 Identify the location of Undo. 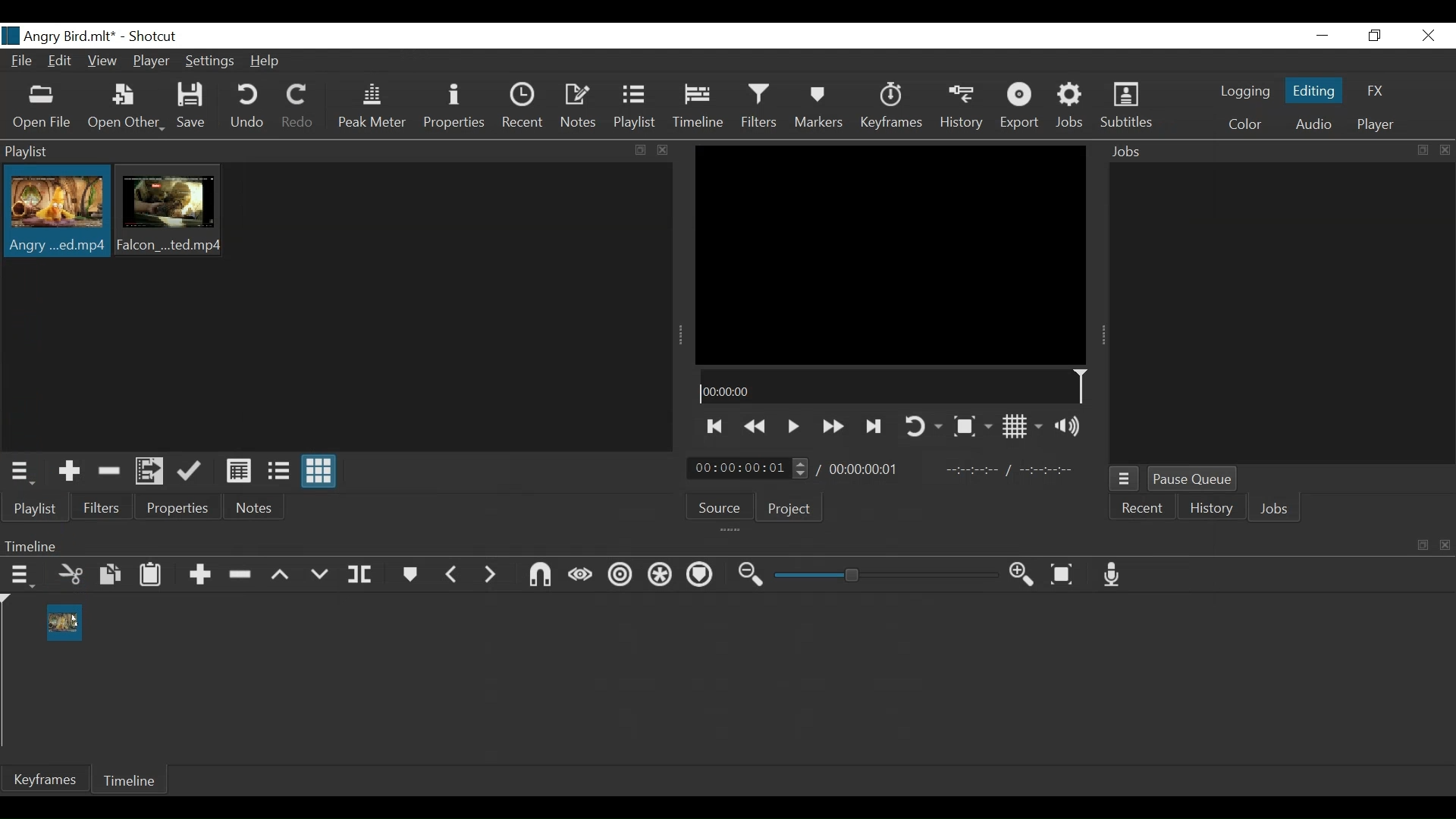
(248, 107).